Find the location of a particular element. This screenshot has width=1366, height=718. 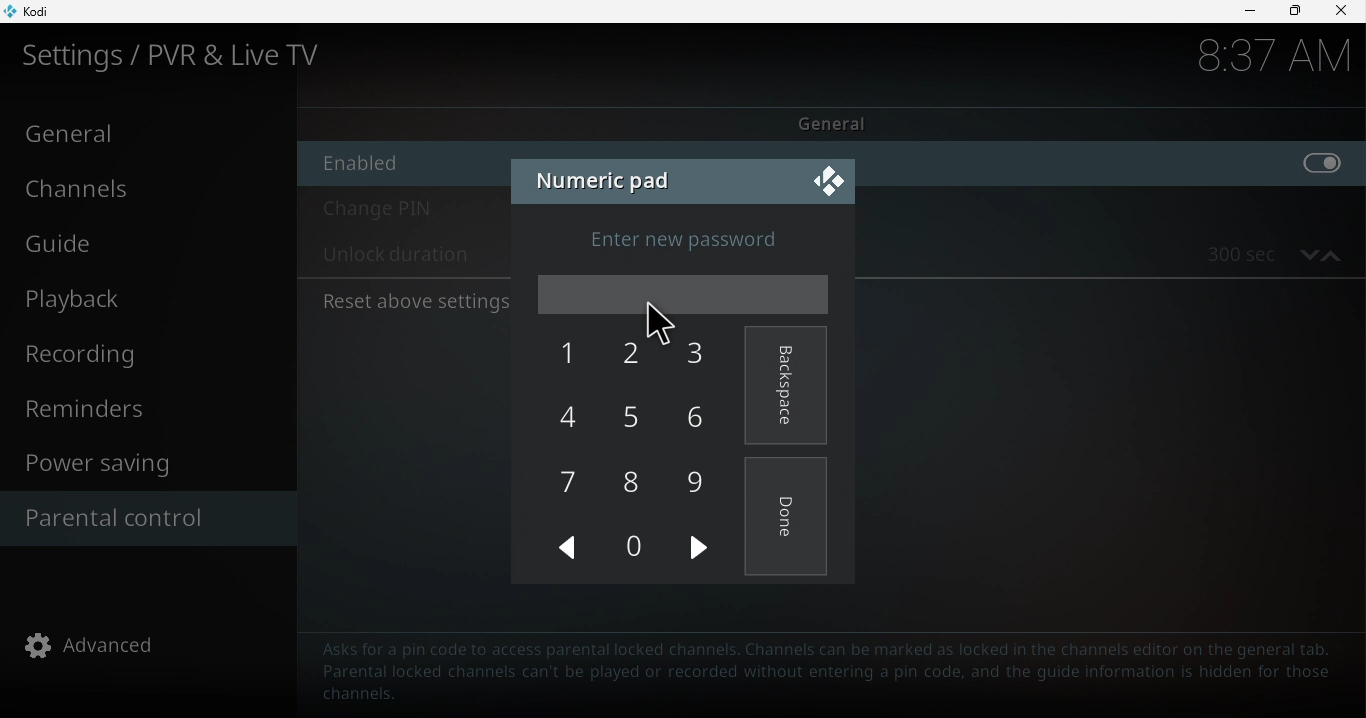

Text to guide to help parental control configuration is located at coordinates (828, 672).